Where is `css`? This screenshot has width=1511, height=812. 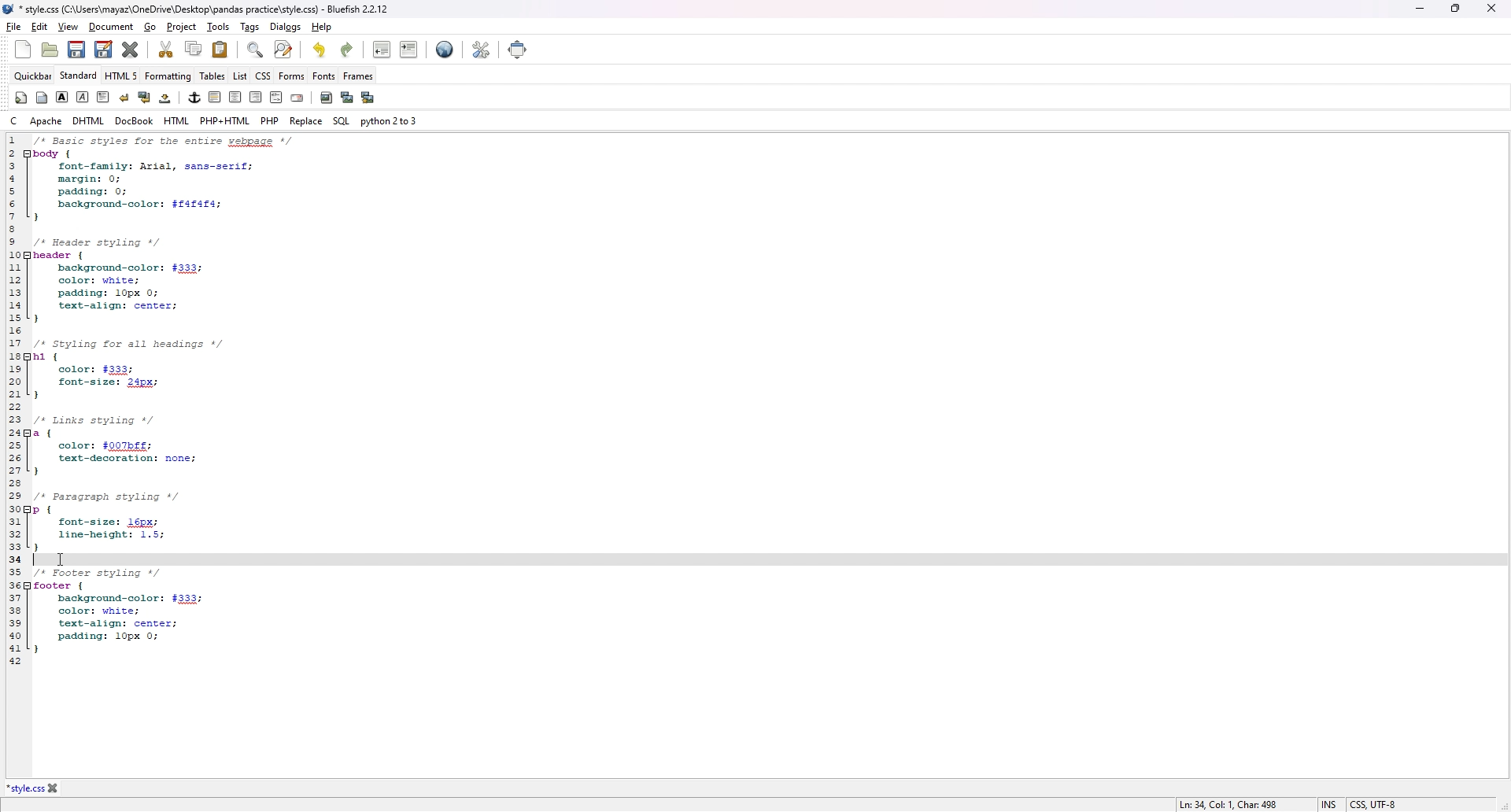 css is located at coordinates (264, 76).